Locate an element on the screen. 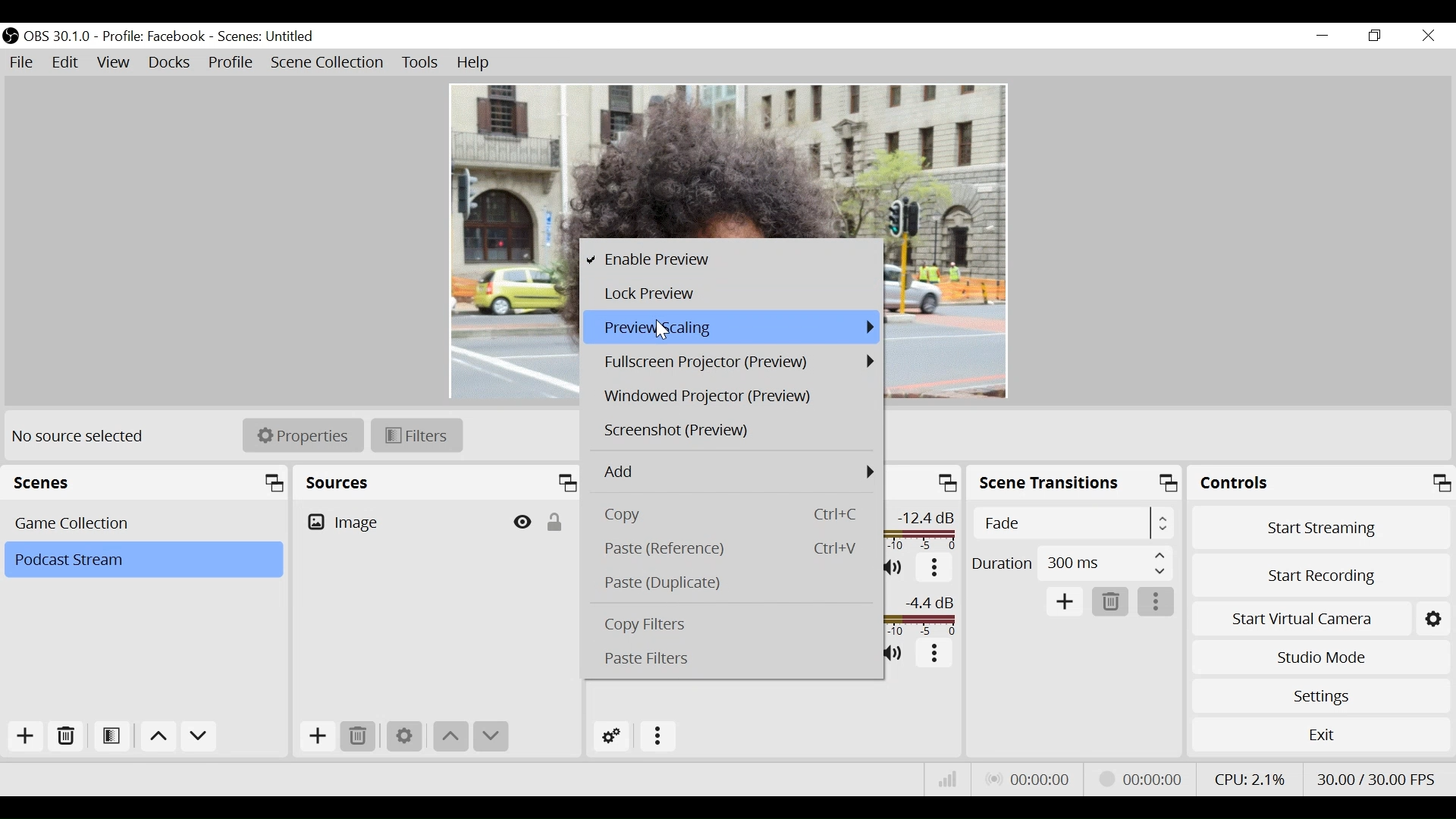  Start Recording is located at coordinates (1322, 574).